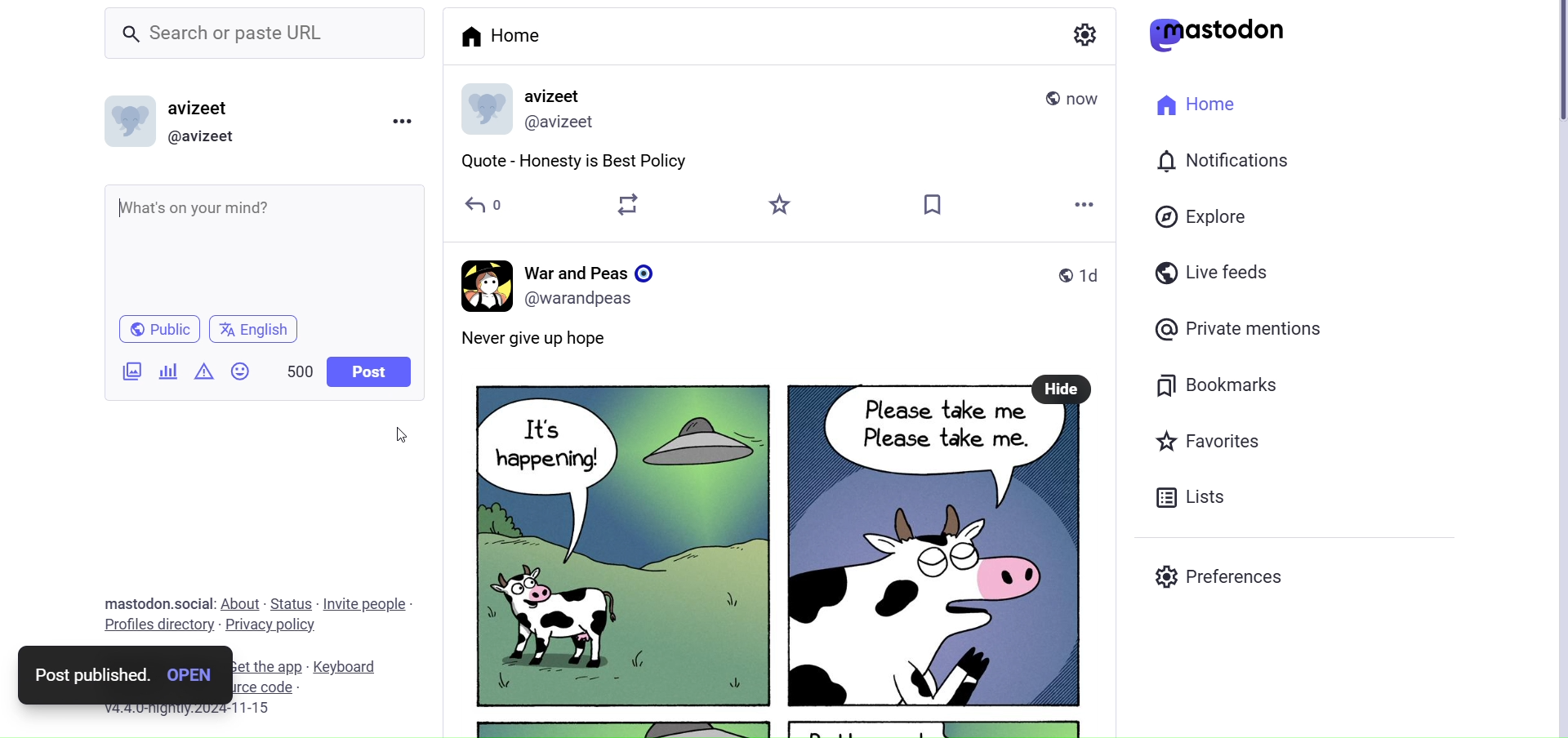  What do you see at coordinates (131, 370) in the screenshot?
I see `Add Images` at bounding box center [131, 370].